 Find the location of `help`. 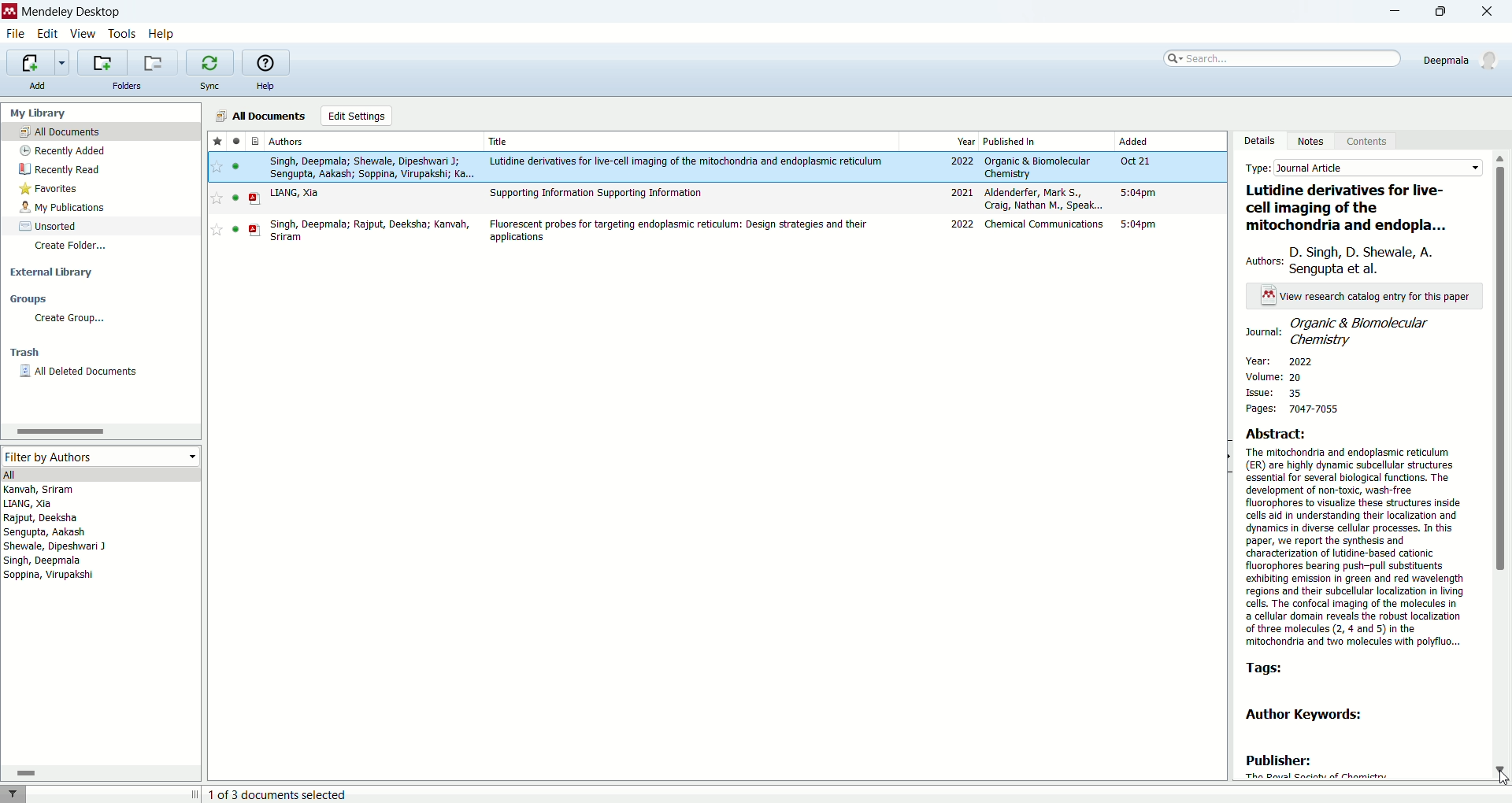

help is located at coordinates (265, 87).